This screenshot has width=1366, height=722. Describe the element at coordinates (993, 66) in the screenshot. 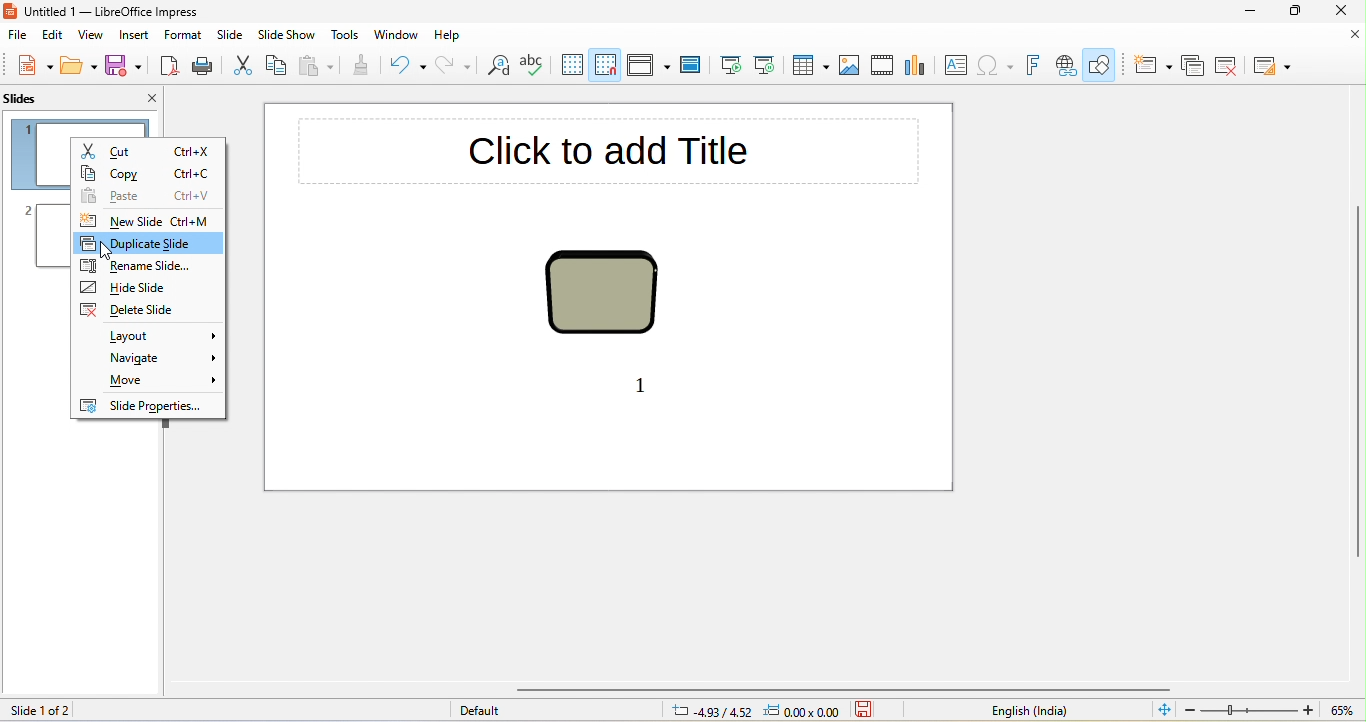

I see `special character` at that location.